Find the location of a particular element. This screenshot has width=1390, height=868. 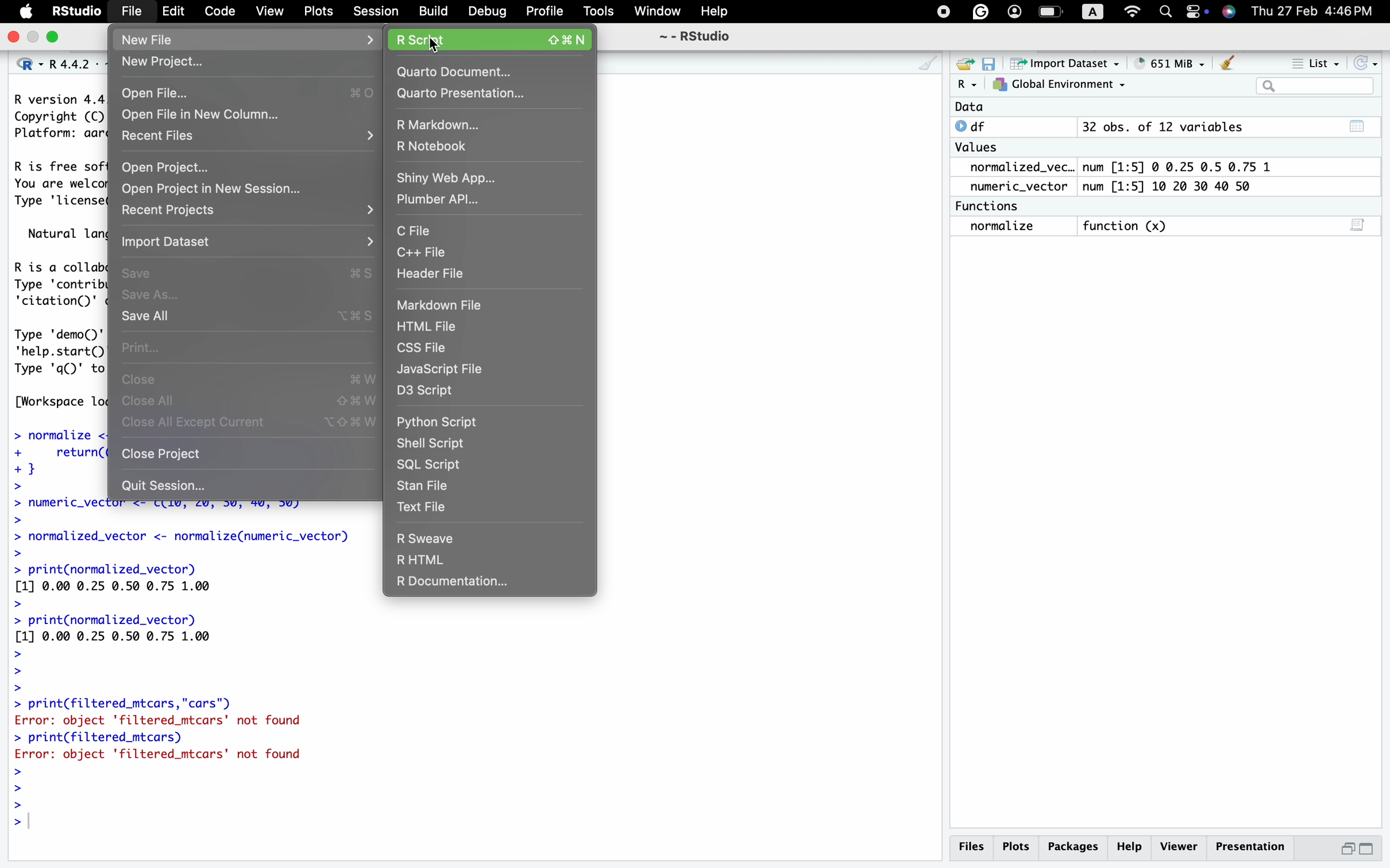

R Notebook is located at coordinates (445, 147).